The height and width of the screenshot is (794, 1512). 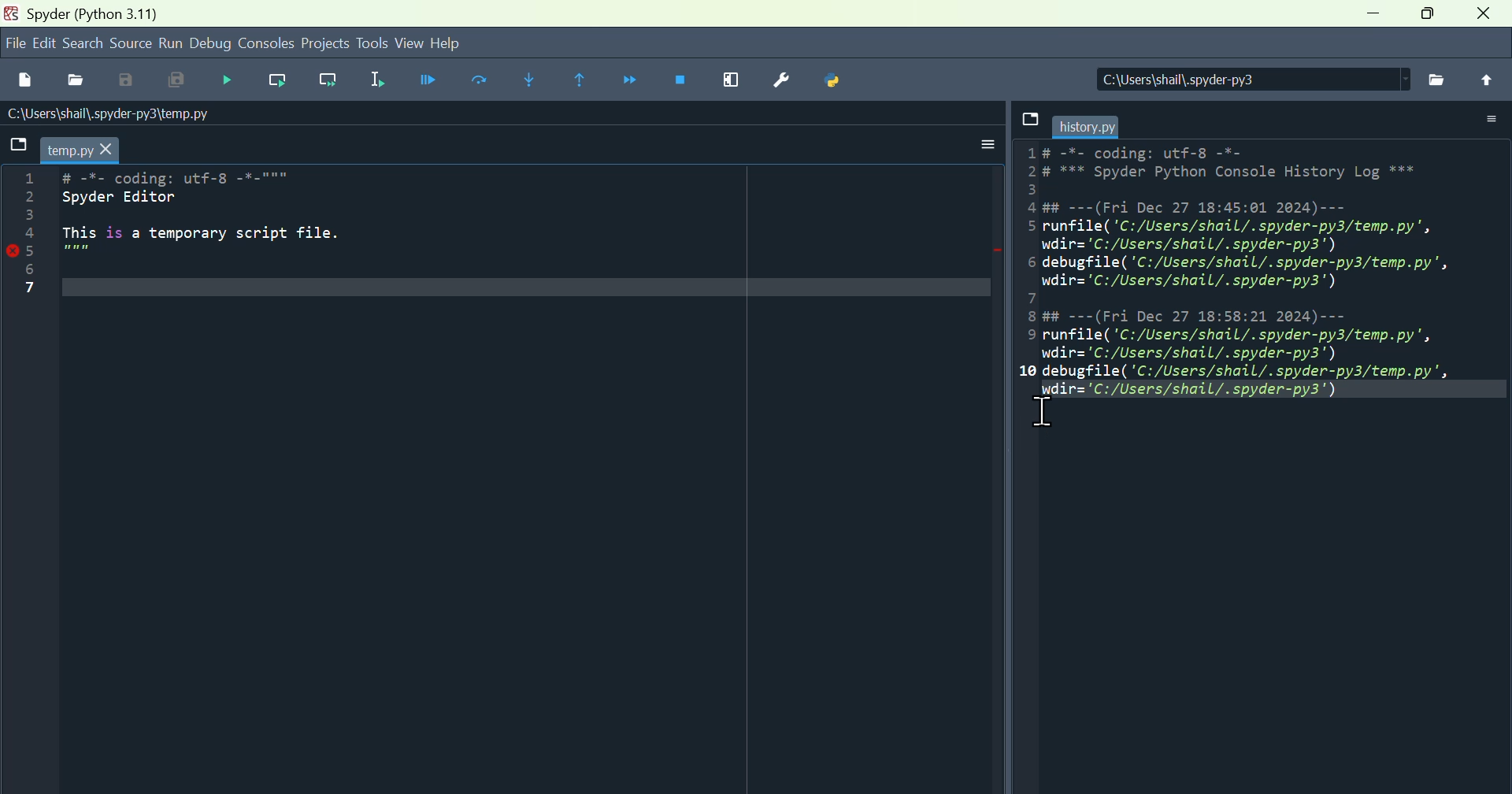 I want to click on Run selection, so click(x=386, y=80).